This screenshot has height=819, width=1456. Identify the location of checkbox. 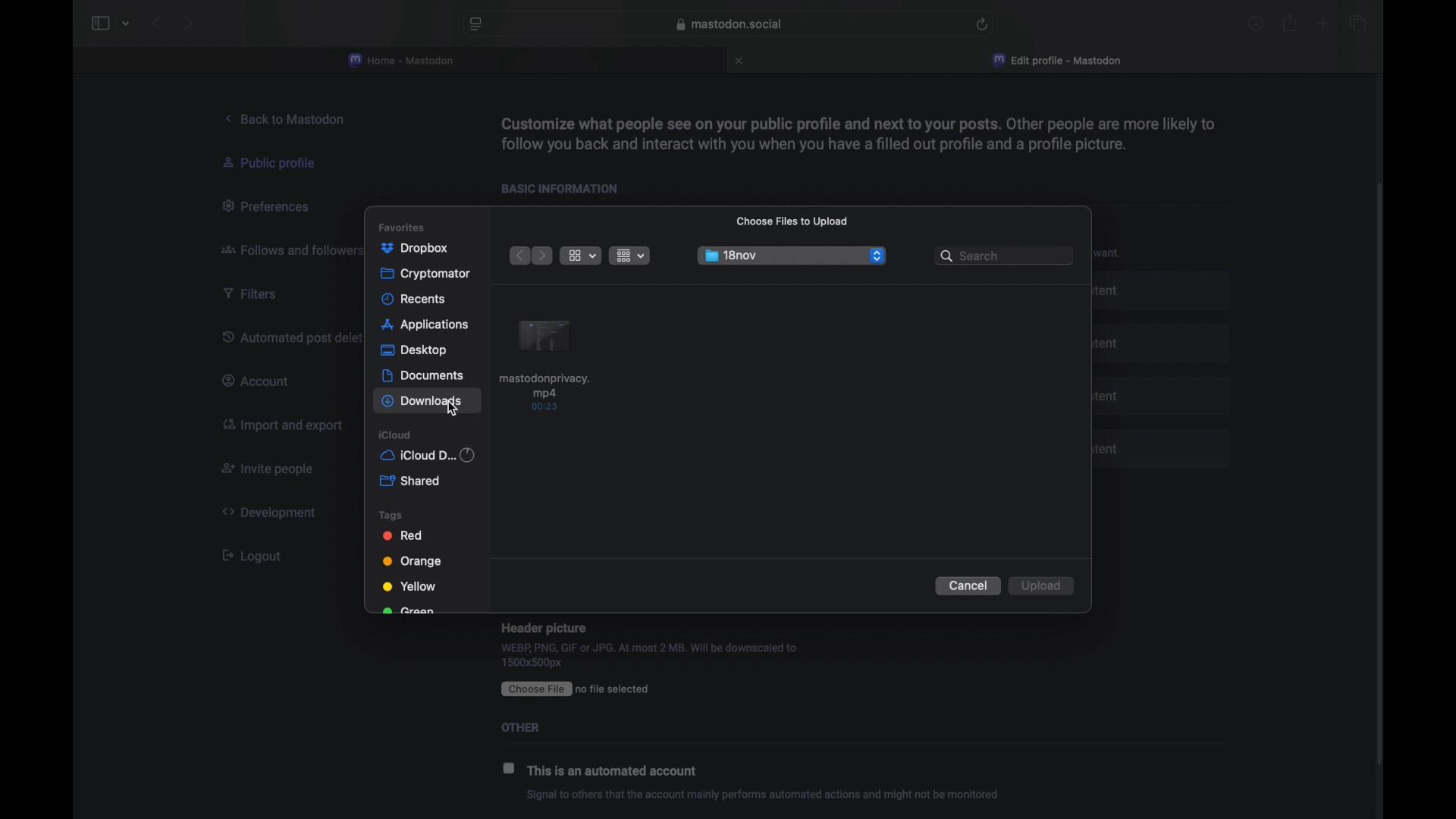
(510, 767).